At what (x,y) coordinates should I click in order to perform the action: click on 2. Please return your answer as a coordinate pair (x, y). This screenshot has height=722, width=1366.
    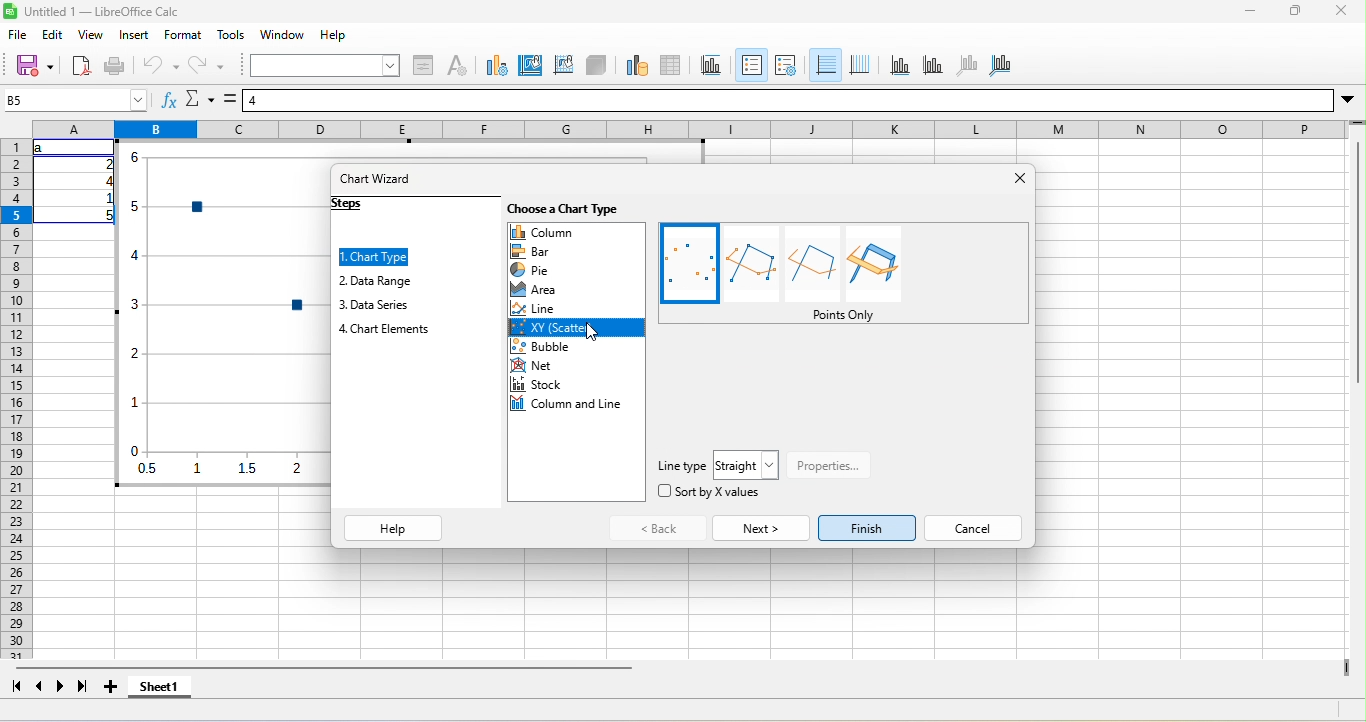
    Looking at the image, I should click on (106, 164).